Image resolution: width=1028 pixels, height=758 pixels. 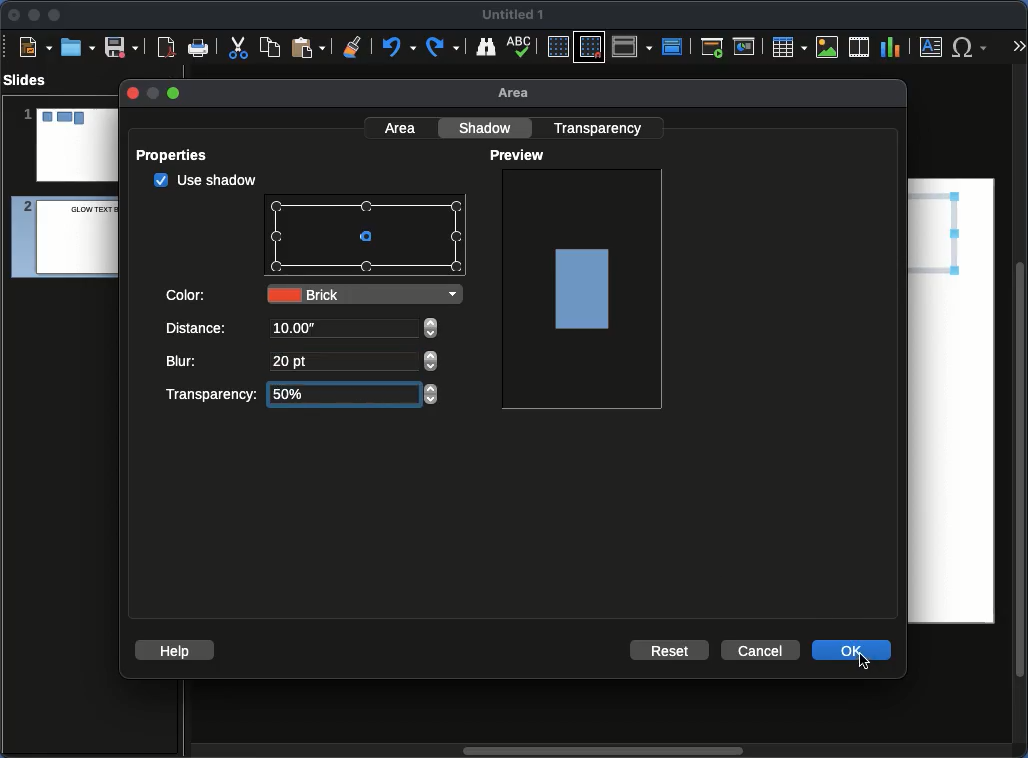 I want to click on Print, so click(x=199, y=49).